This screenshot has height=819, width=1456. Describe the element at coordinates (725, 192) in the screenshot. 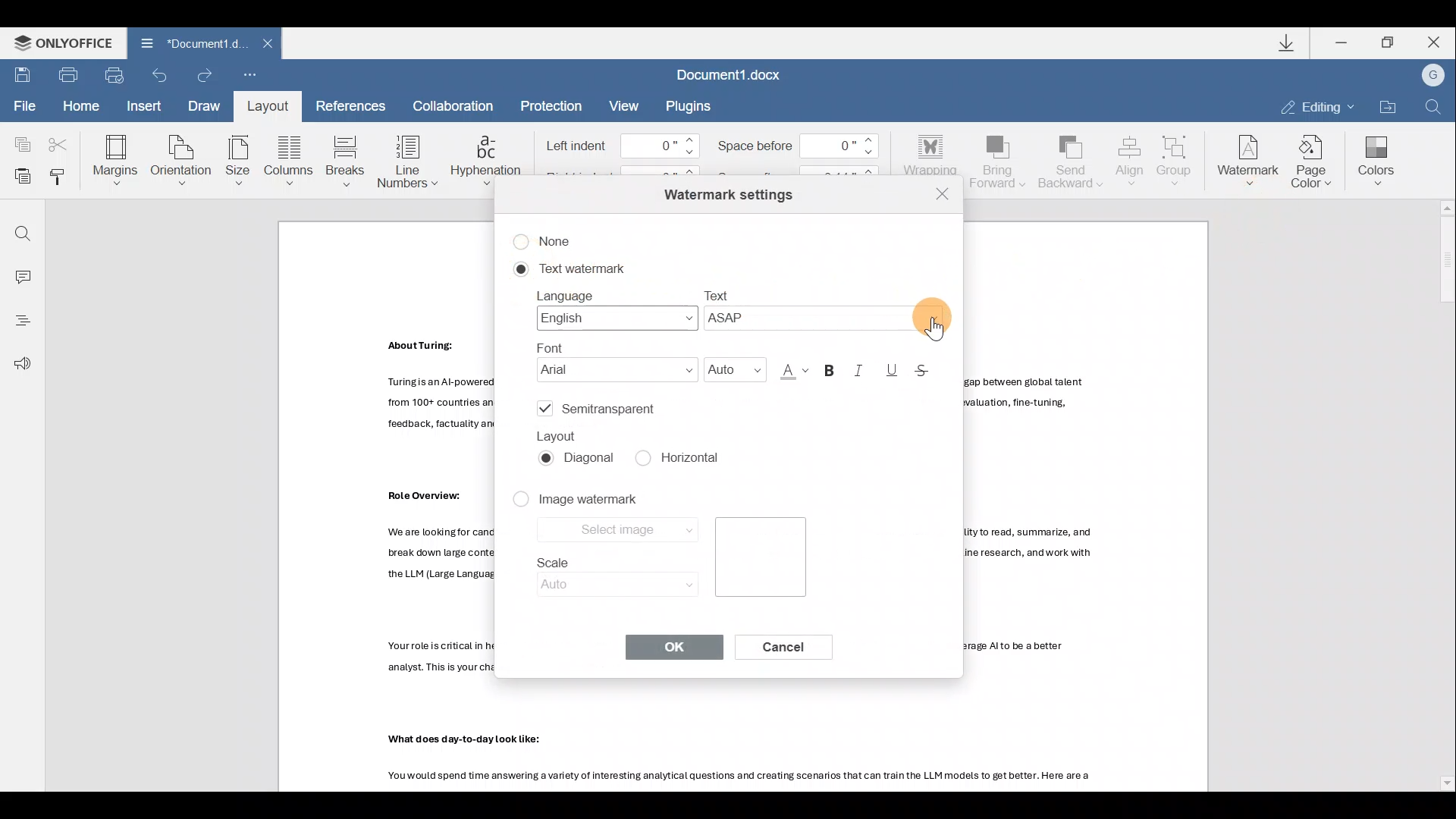

I see `Watermark settings` at that location.